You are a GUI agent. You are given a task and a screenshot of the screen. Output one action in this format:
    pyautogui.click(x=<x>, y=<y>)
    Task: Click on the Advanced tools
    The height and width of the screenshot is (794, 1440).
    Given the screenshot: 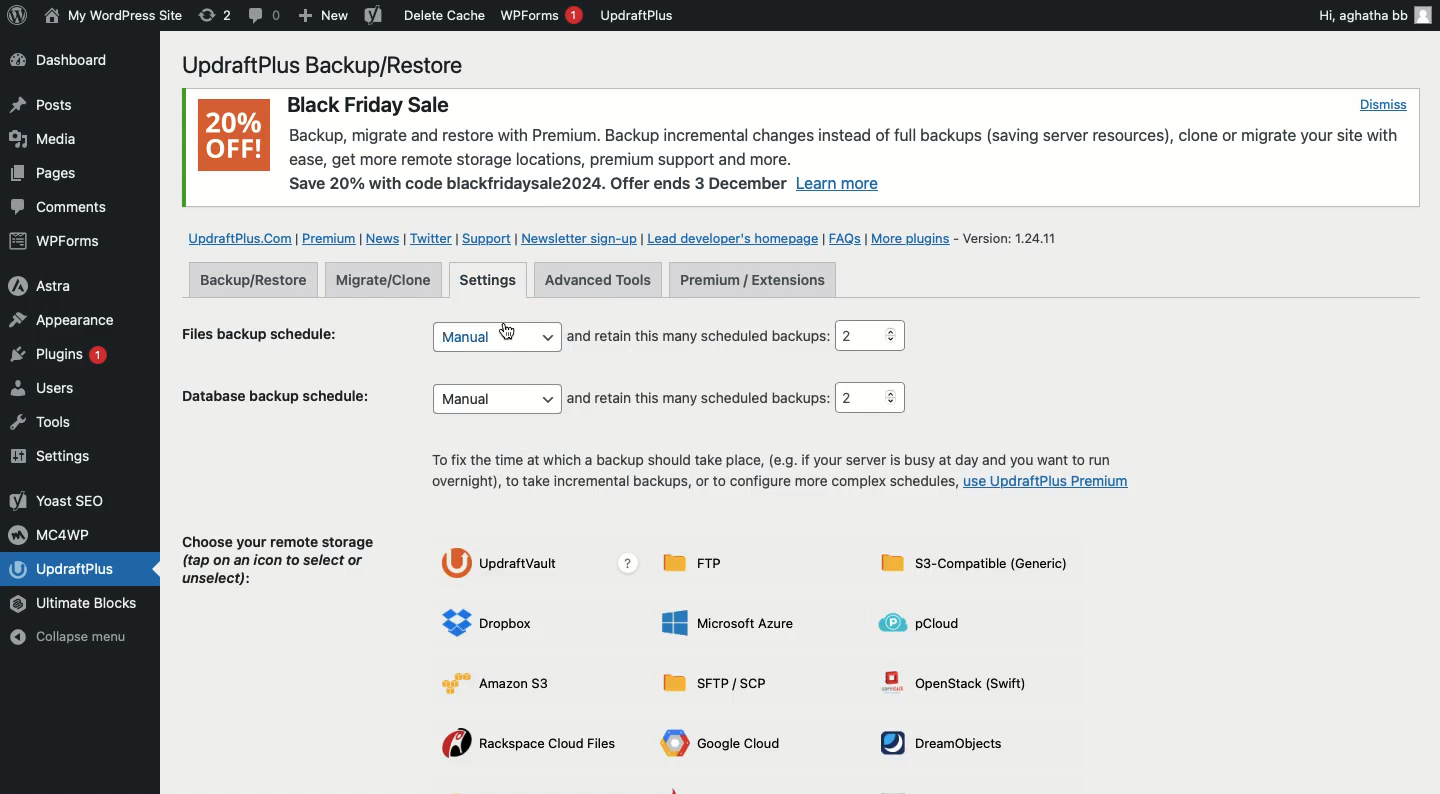 What is the action you would take?
    pyautogui.click(x=598, y=280)
    